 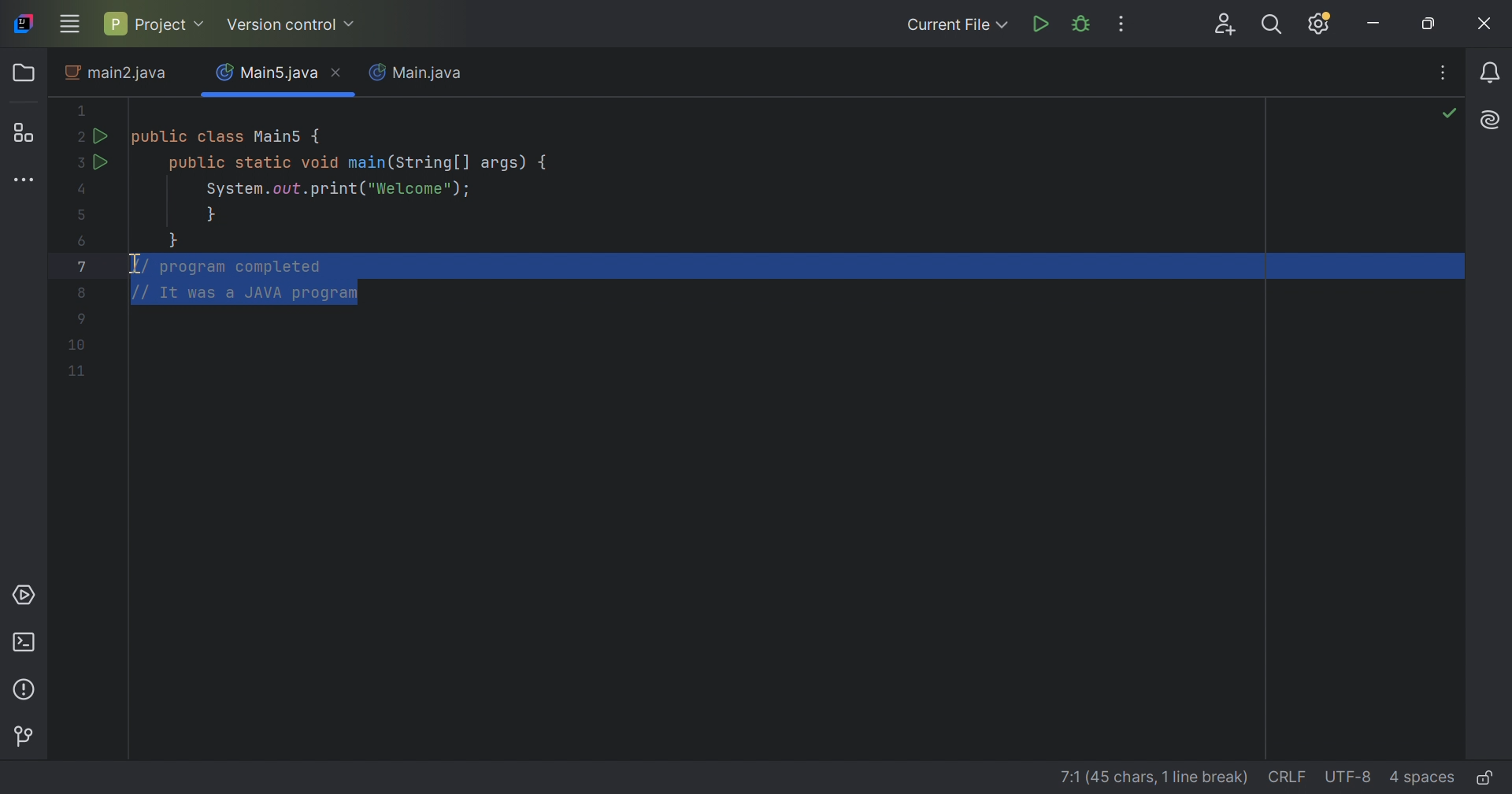 What do you see at coordinates (76, 346) in the screenshot?
I see `Code lines` at bounding box center [76, 346].